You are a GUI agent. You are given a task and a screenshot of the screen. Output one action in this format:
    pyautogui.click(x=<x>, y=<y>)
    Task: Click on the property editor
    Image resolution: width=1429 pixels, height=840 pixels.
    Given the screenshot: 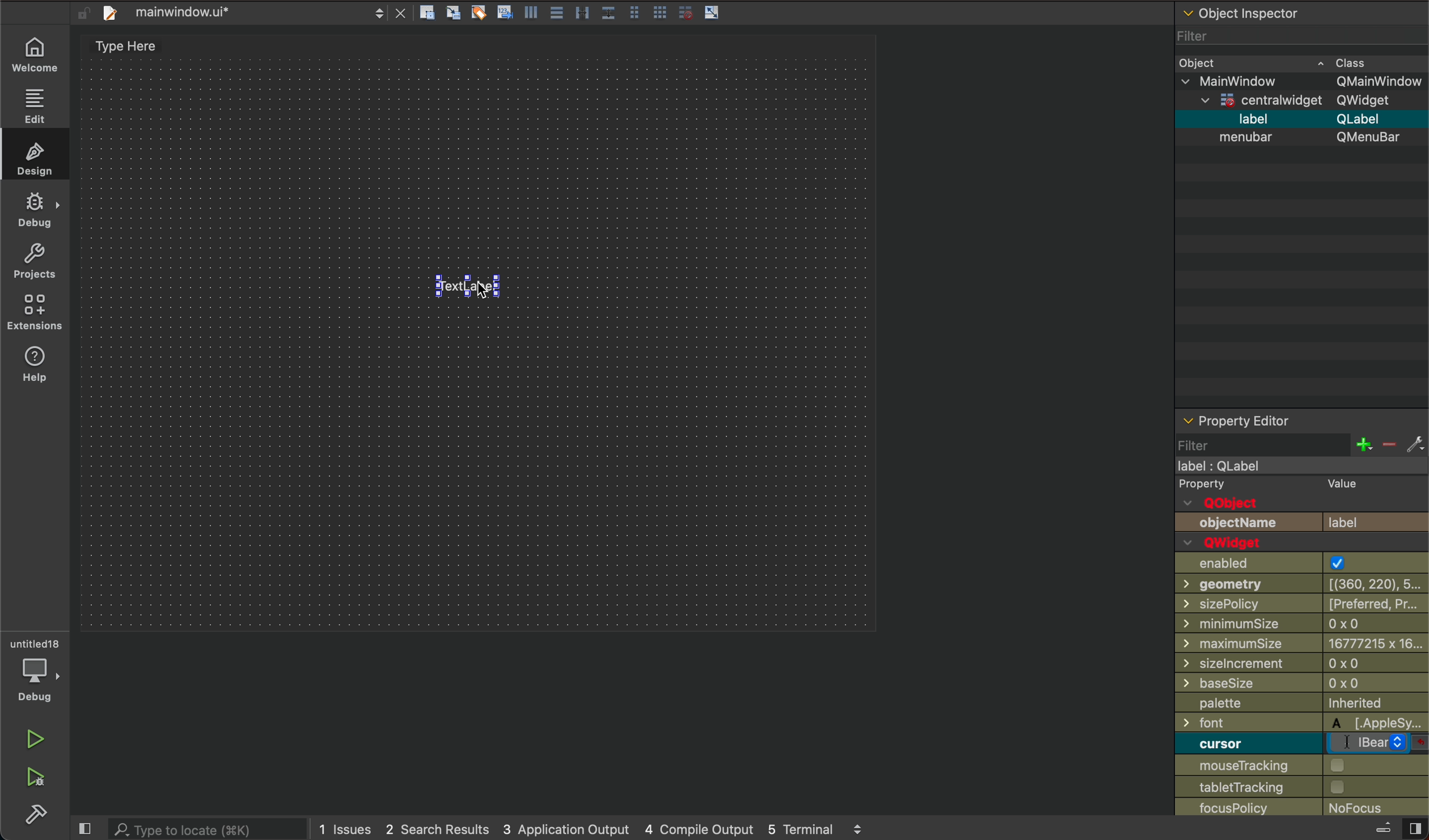 What is the action you would take?
    pyautogui.click(x=1301, y=418)
    